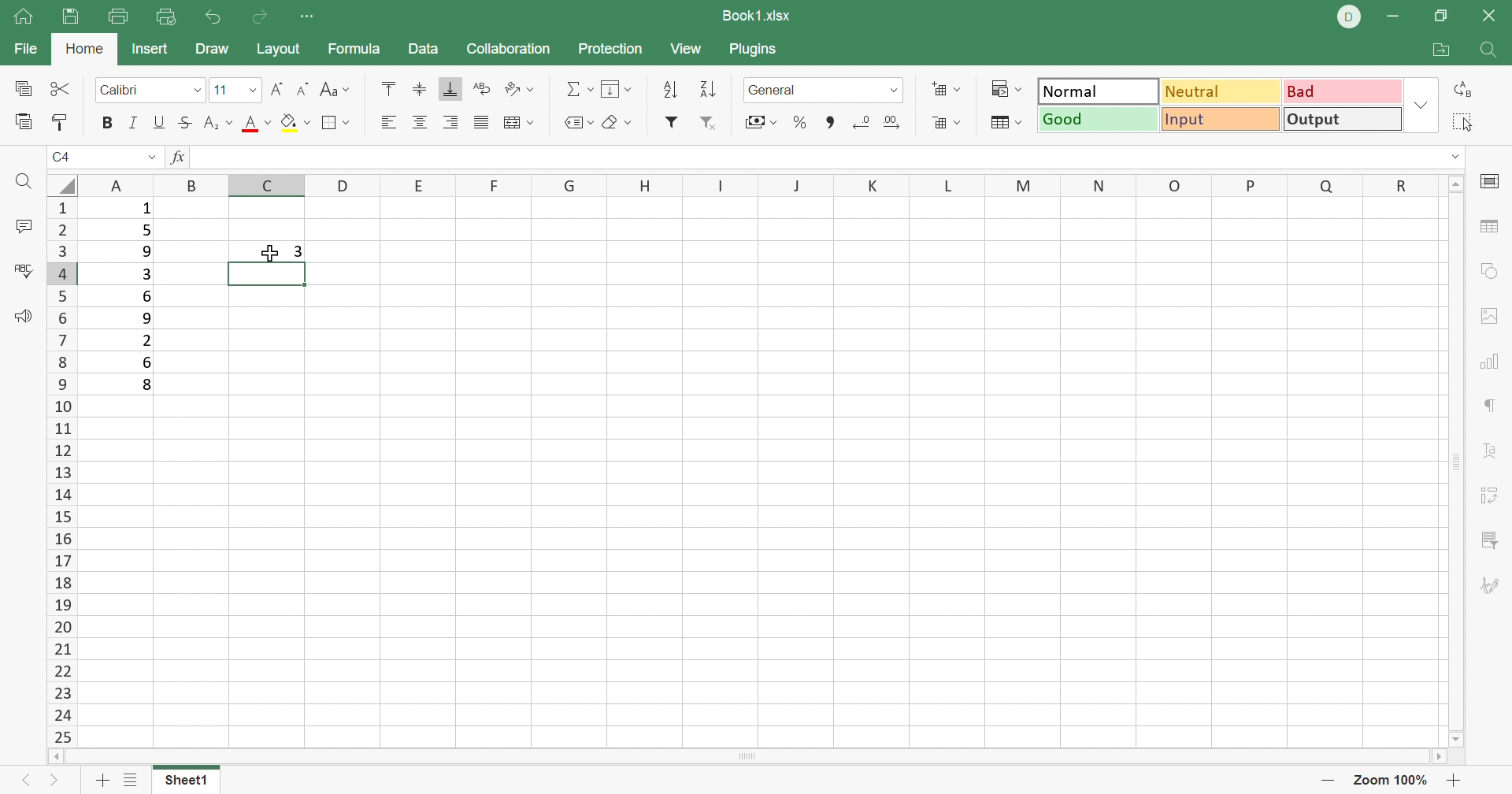 Image resolution: width=1512 pixels, height=794 pixels. Describe the element at coordinates (132, 780) in the screenshot. I see `List of sheets` at that location.